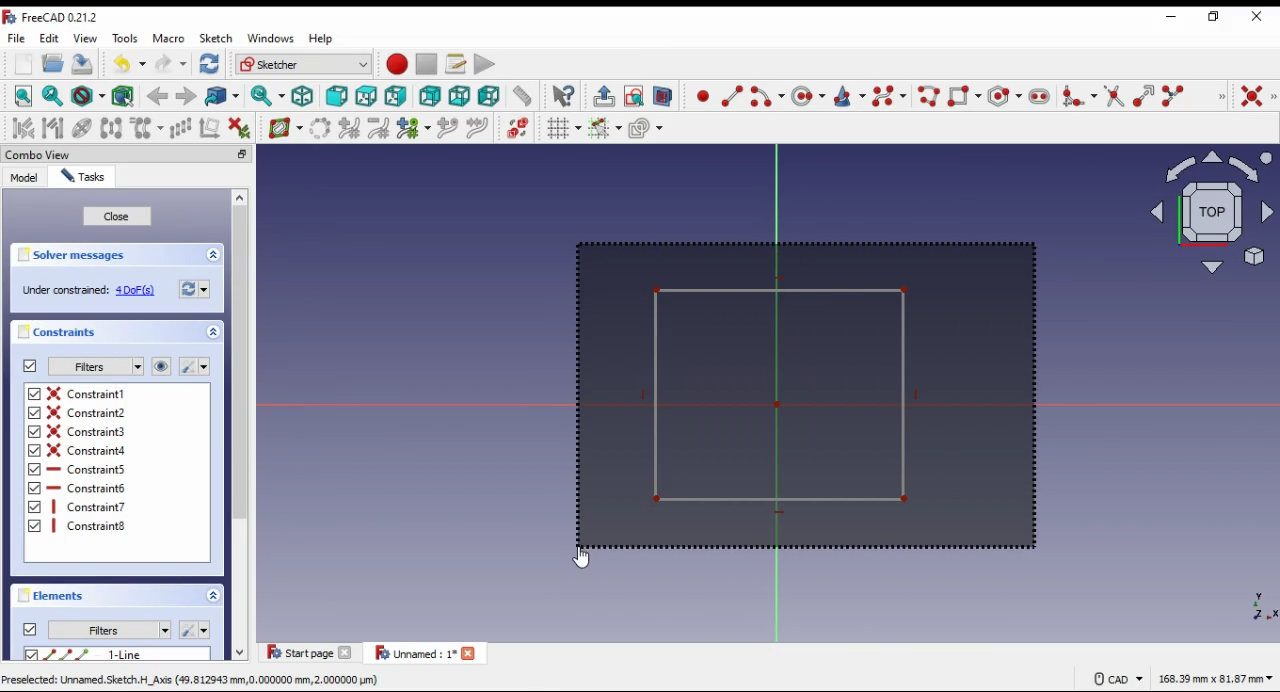  I want to click on Preselected: Unnamed. Sketch. H_Axis (49,812943 mm,0.000000 mm, 2.000000 pum), so click(193, 680).